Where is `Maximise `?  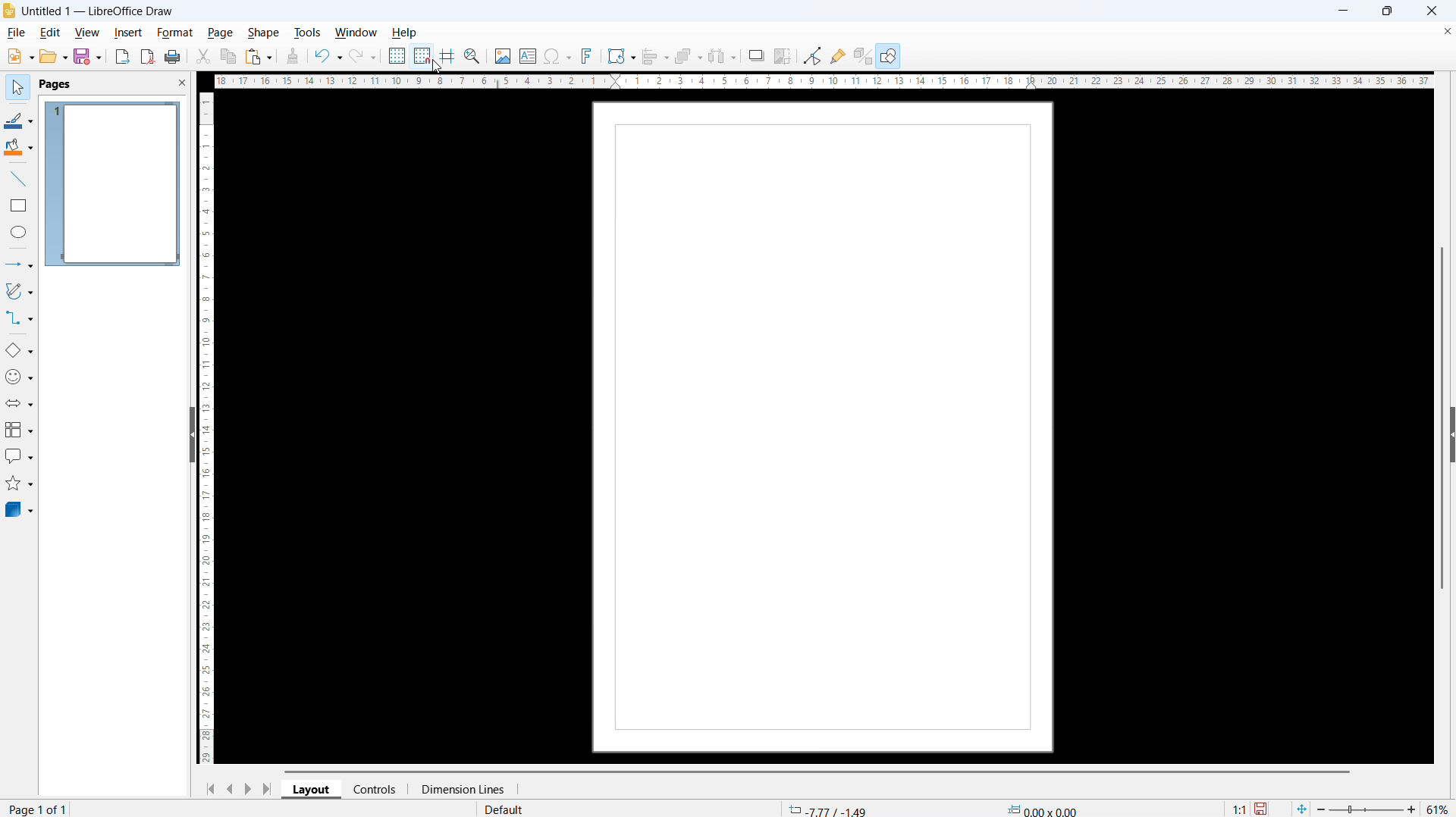
Maximise  is located at coordinates (1387, 11).